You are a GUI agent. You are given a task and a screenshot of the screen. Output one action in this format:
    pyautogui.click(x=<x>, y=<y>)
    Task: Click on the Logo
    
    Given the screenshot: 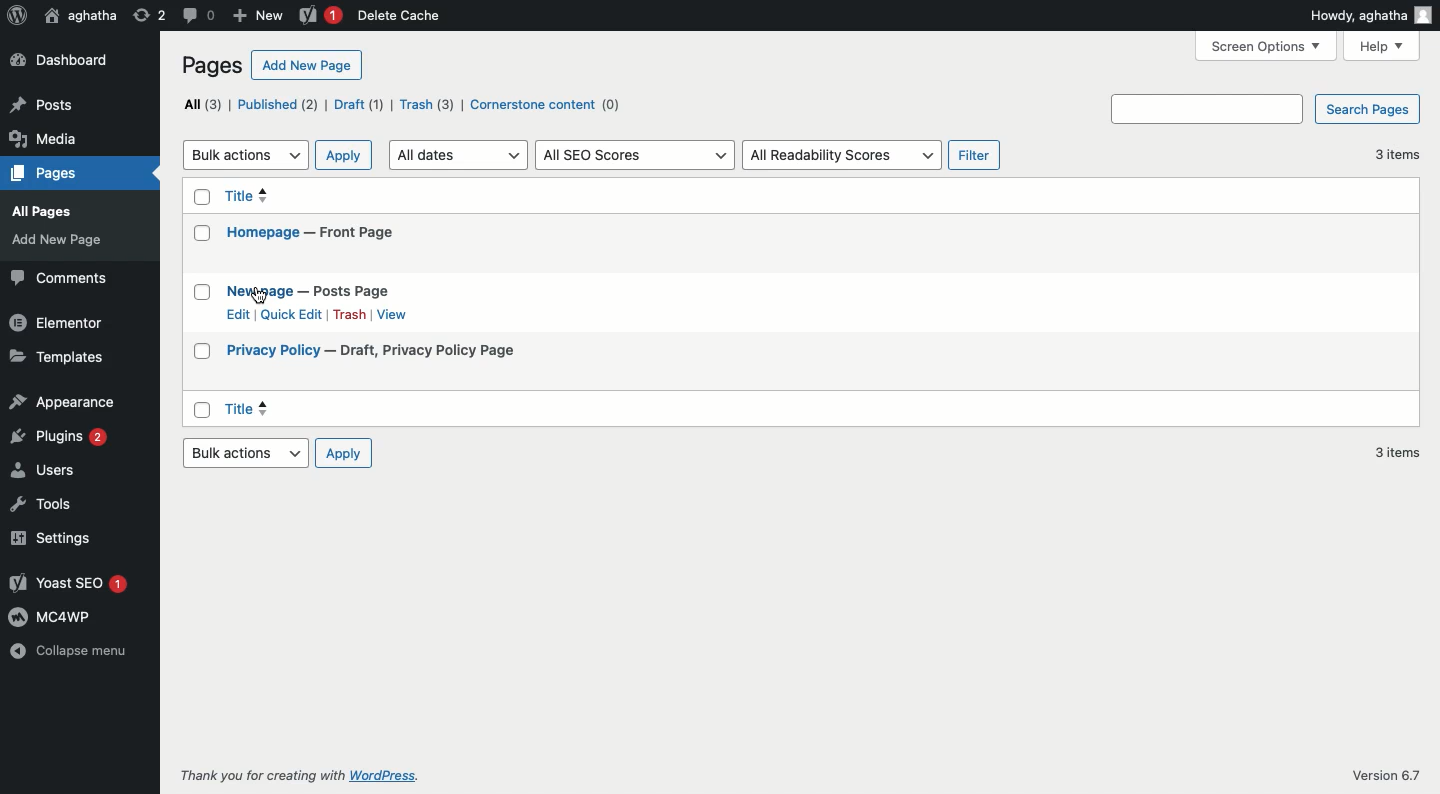 What is the action you would take?
    pyautogui.click(x=14, y=15)
    